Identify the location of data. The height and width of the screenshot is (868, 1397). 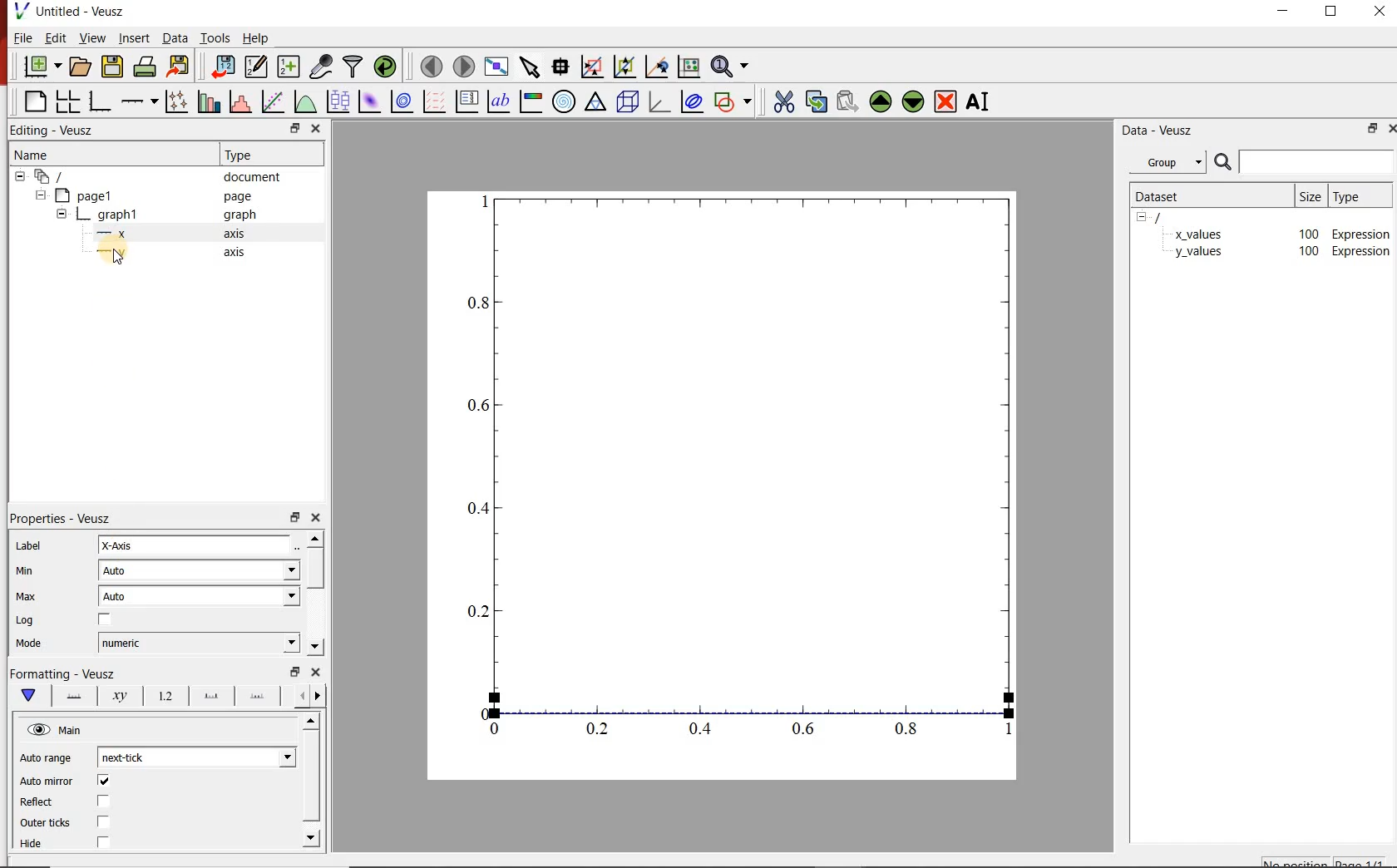
(175, 37).